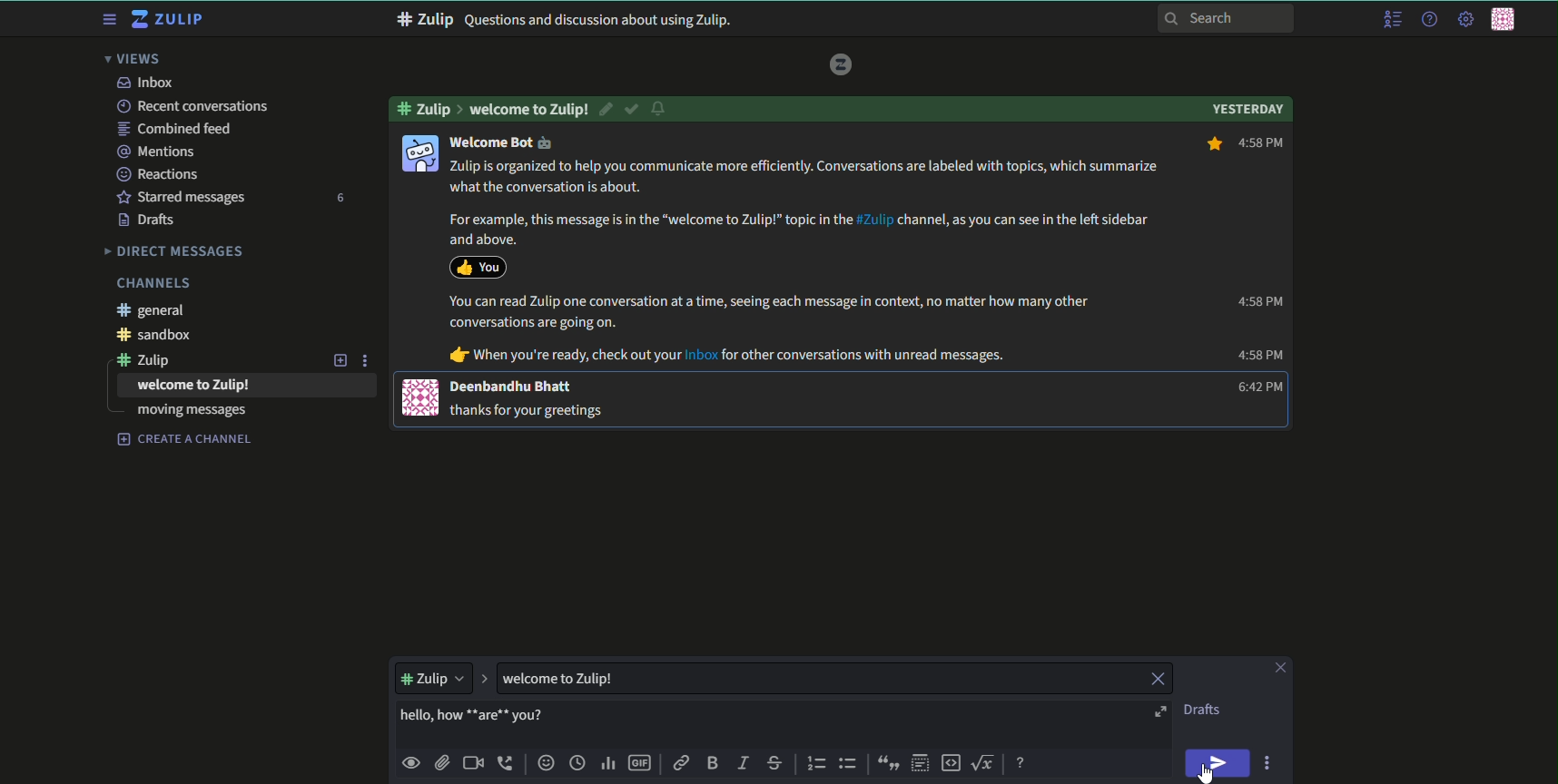 This screenshot has height=784, width=1558. What do you see at coordinates (153, 359) in the screenshot?
I see `#zulip` at bounding box center [153, 359].